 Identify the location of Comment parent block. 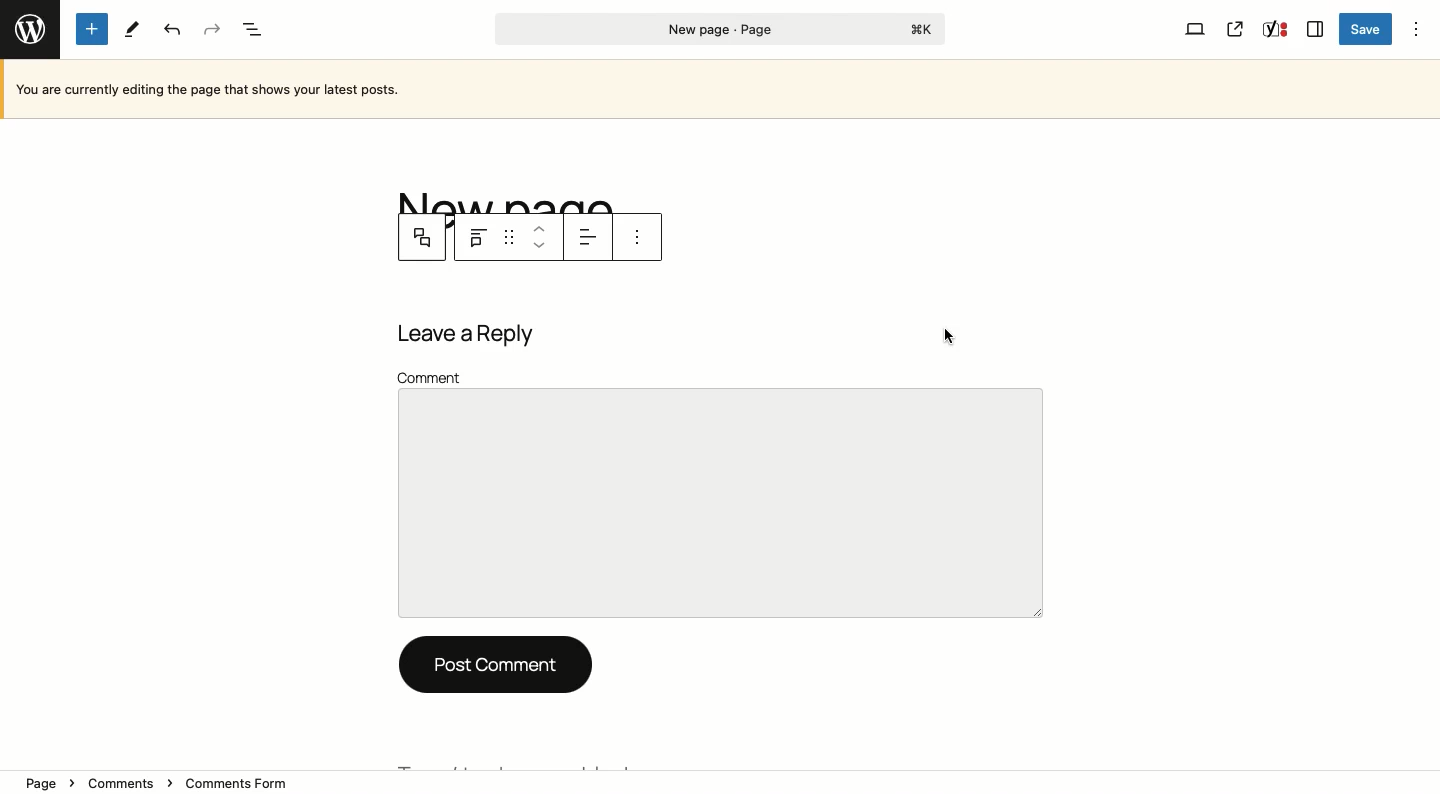
(421, 239).